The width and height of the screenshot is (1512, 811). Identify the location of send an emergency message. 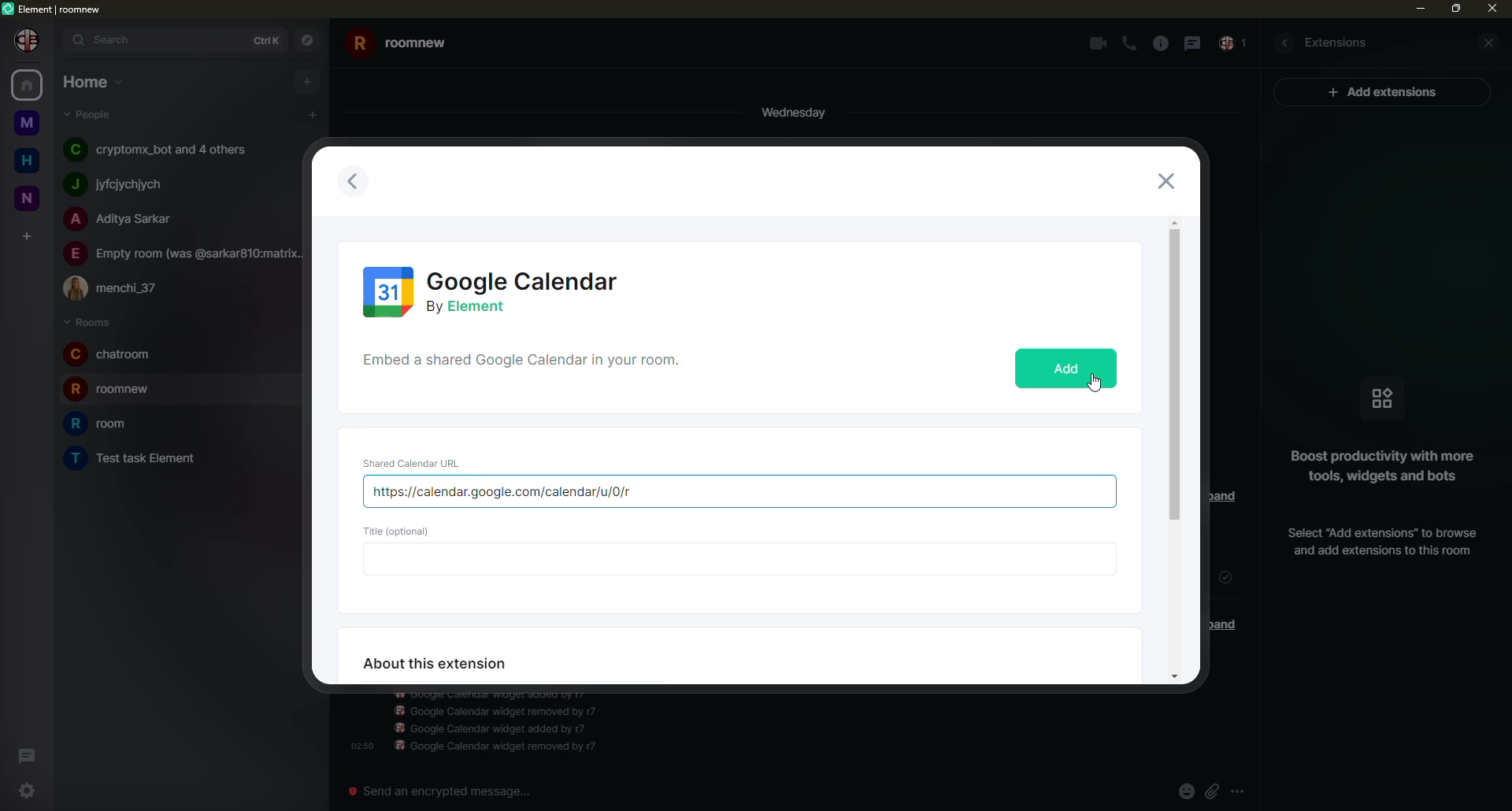
(448, 792).